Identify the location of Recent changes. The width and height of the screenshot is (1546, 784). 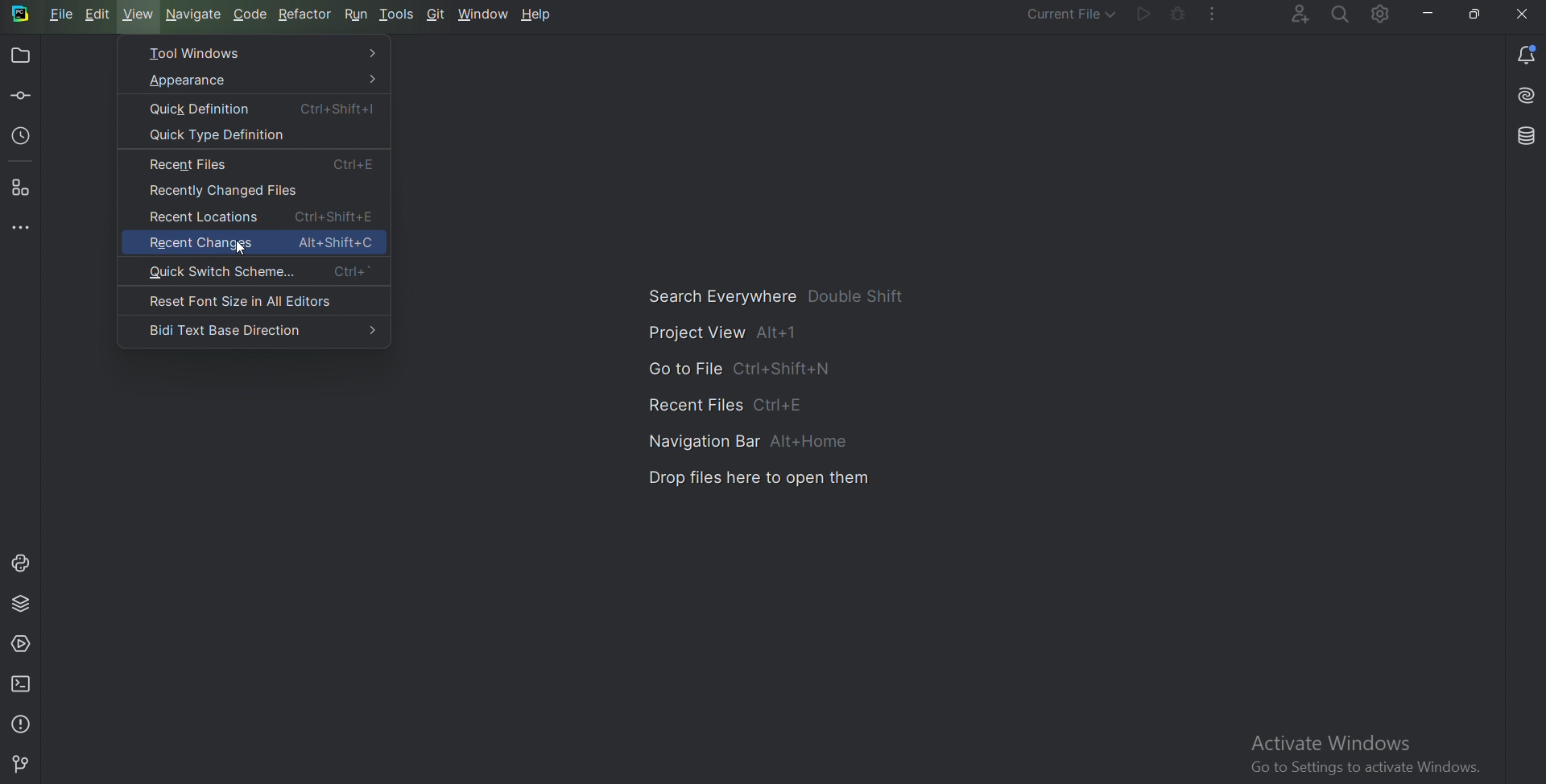
(254, 241).